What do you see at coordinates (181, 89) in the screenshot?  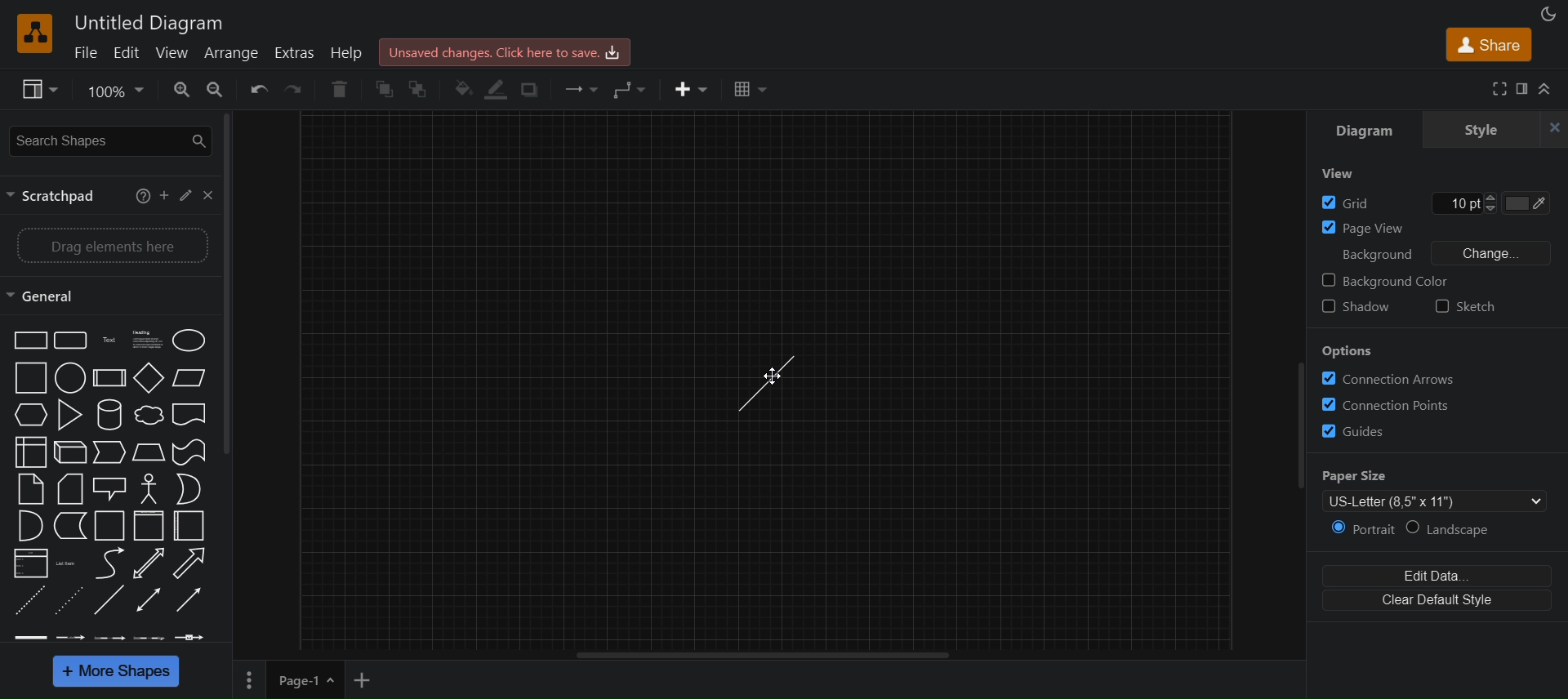 I see `zoom in` at bounding box center [181, 89].